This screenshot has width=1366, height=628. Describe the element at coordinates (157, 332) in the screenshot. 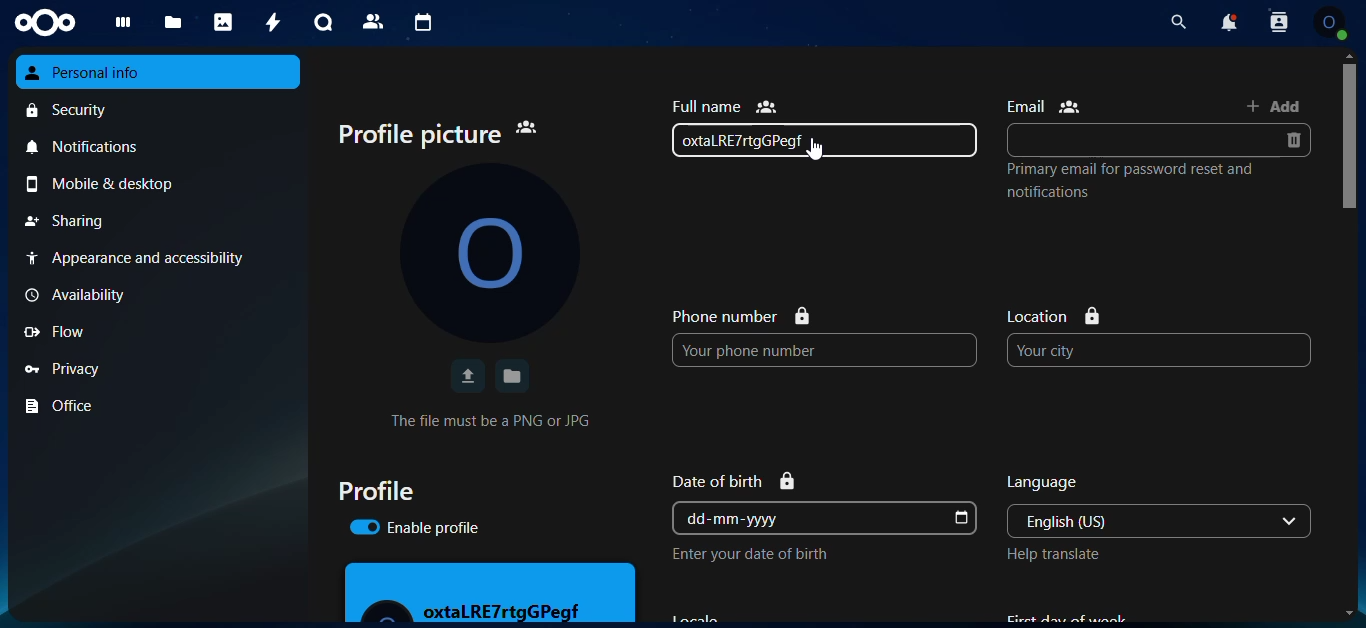

I see `flow` at that location.